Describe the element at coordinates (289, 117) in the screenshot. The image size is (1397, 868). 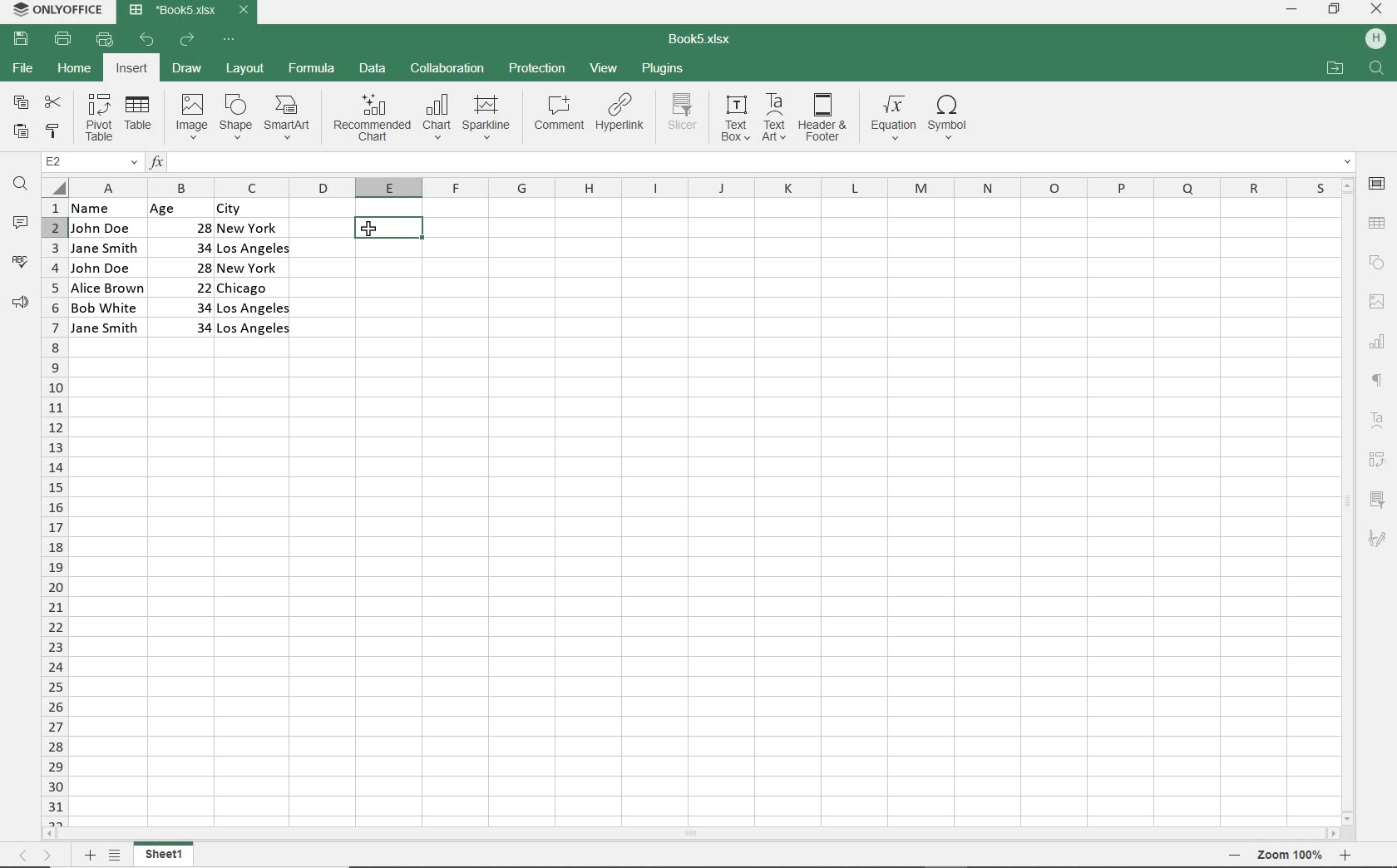
I see `SMARTART` at that location.